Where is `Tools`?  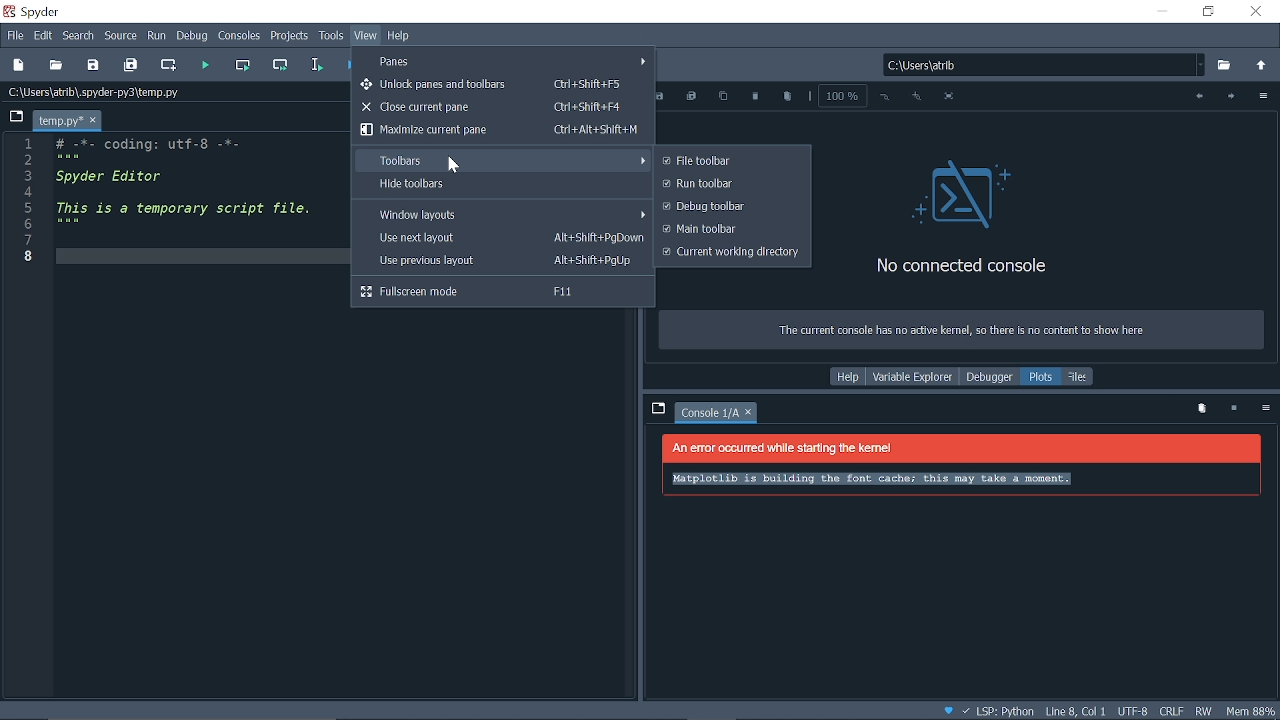 Tools is located at coordinates (332, 37).